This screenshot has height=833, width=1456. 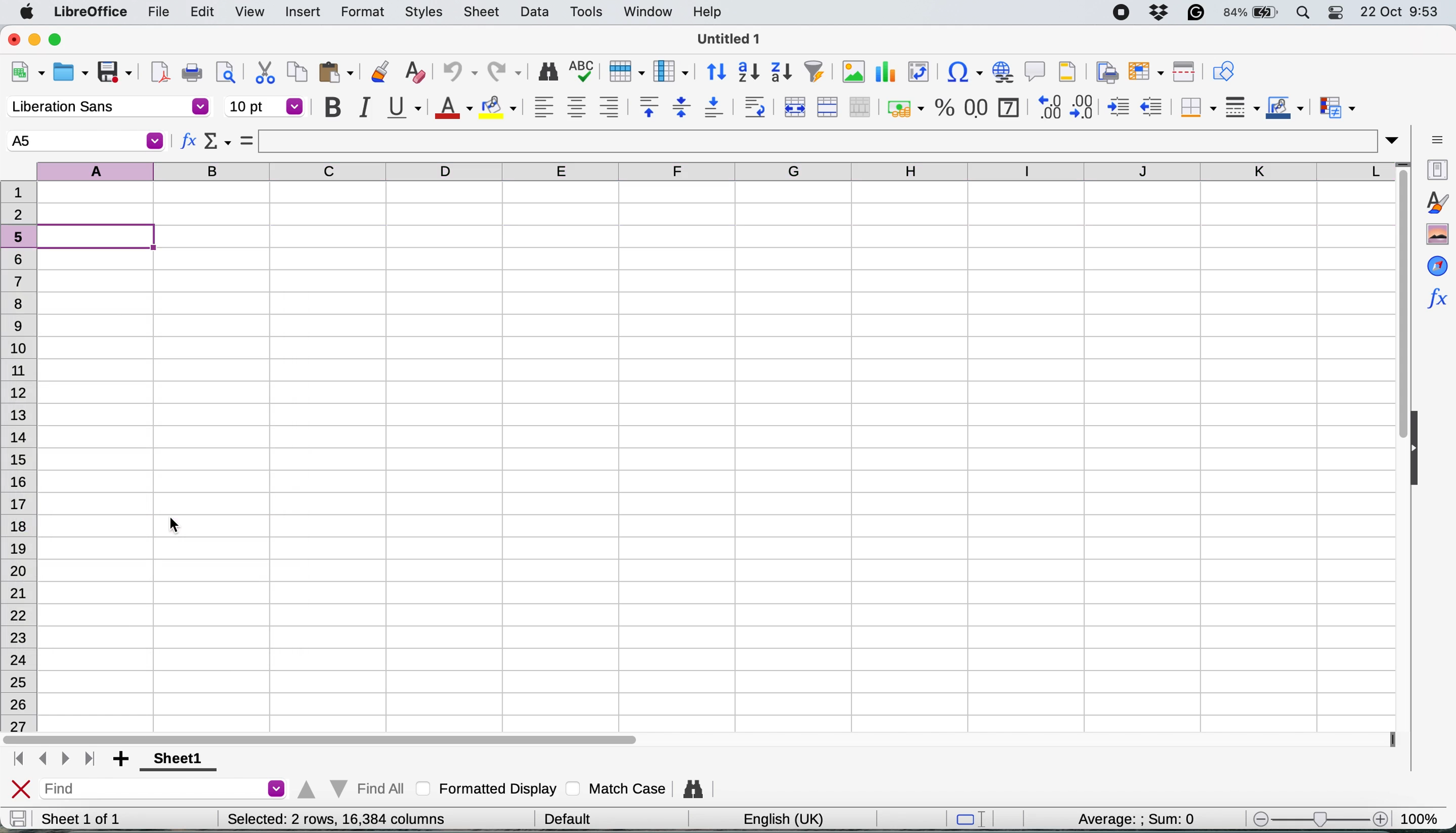 What do you see at coordinates (192, 73) in the screenshot?
I see `print` at bounding box center [192, 73].